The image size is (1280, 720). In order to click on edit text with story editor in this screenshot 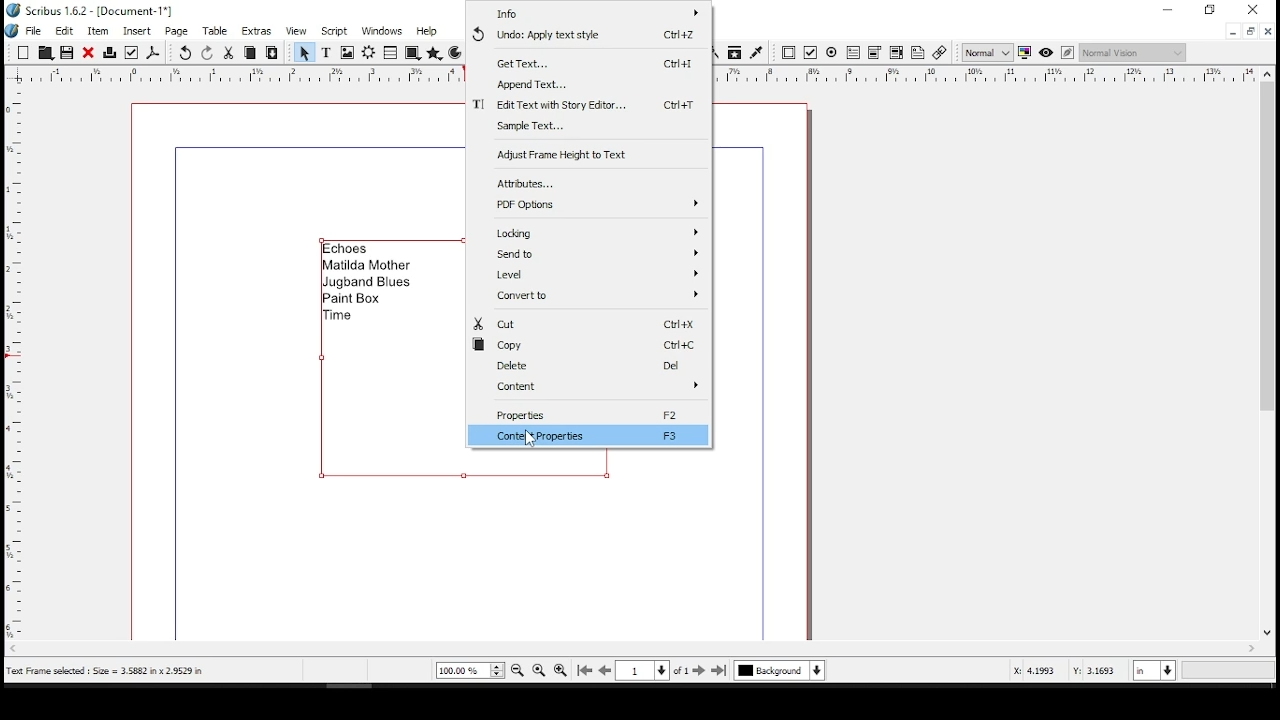, I will do `click(587, 106)`.